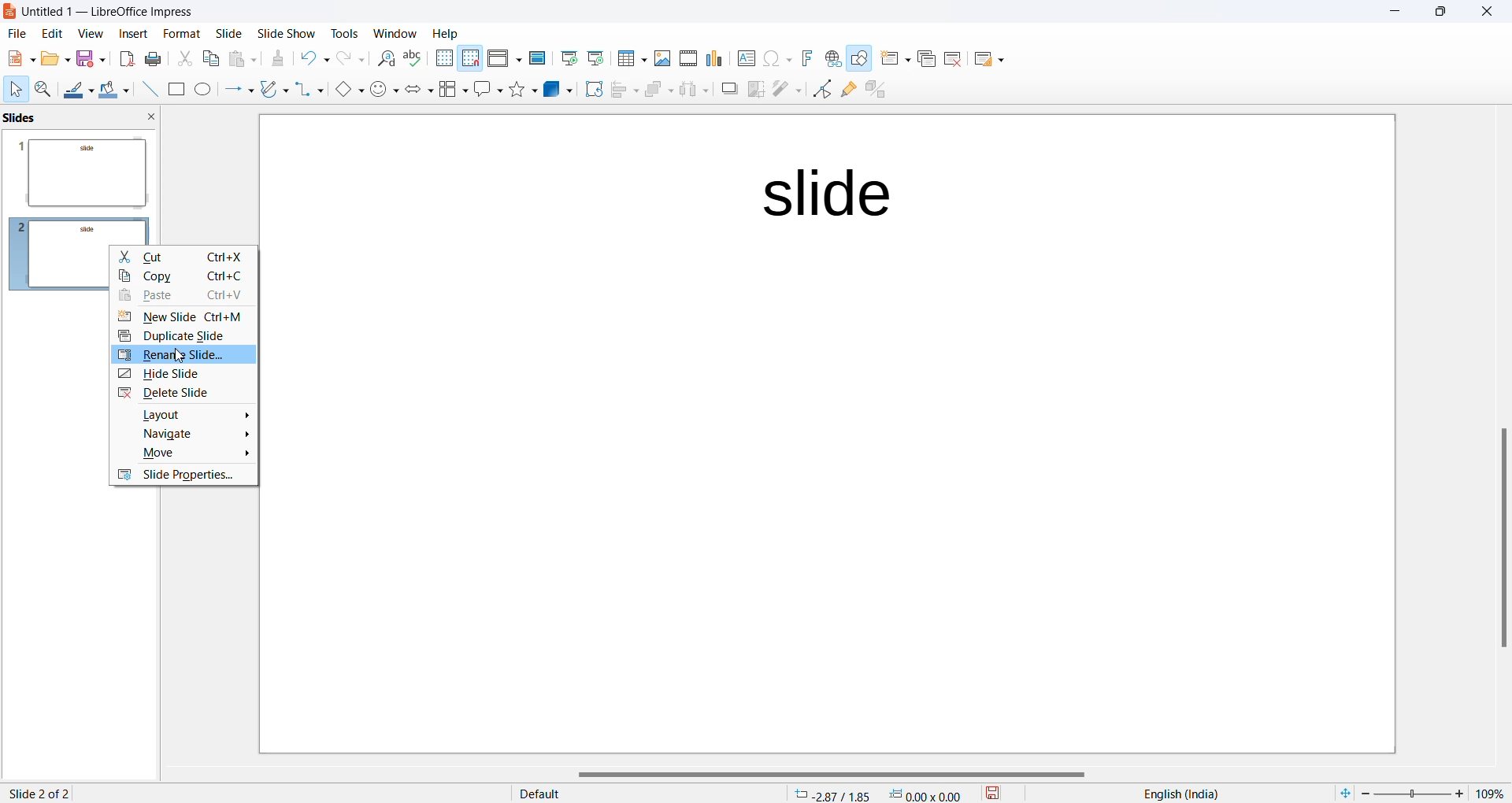  I want to click on Cursor, so click(16, 89).